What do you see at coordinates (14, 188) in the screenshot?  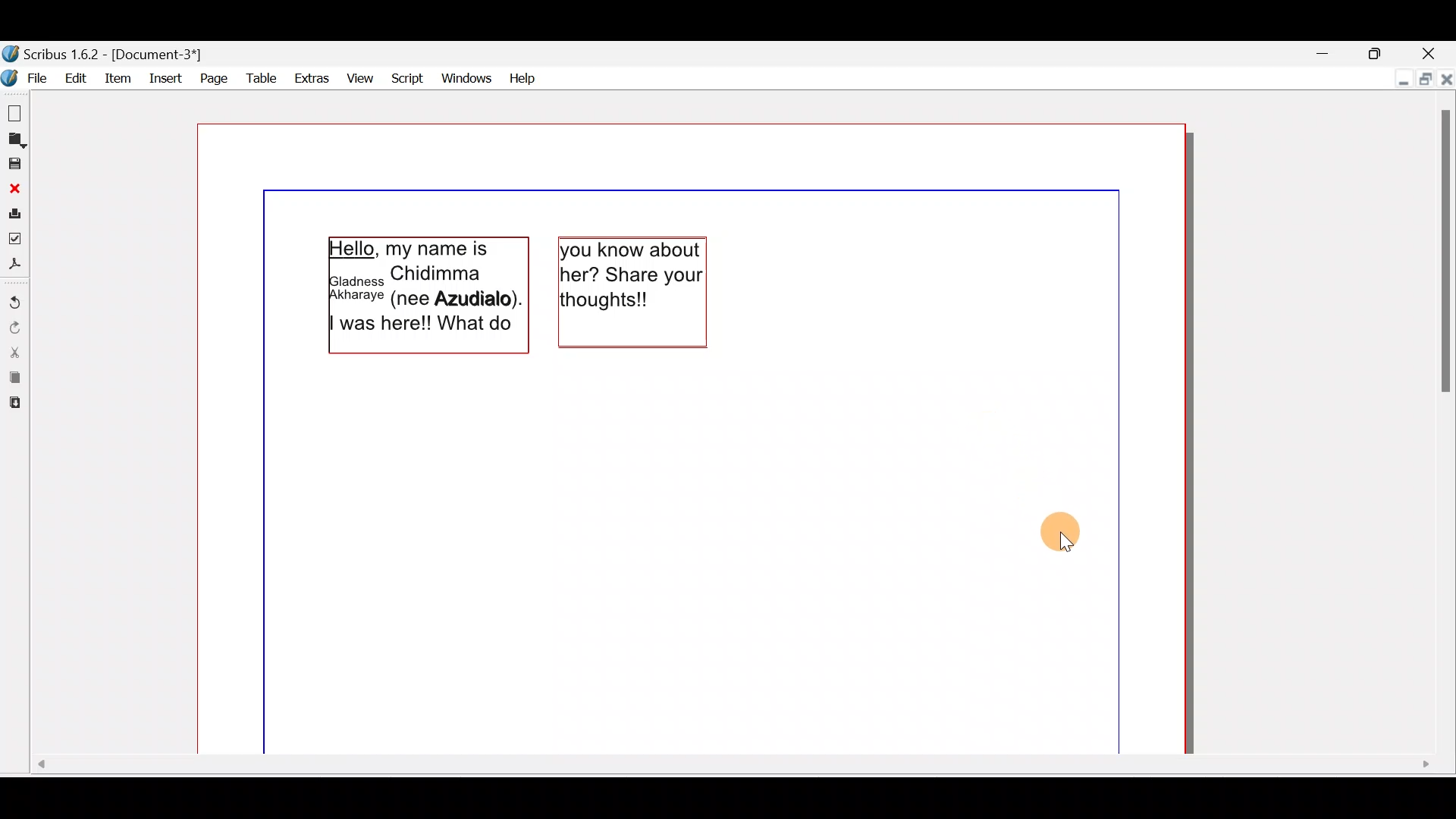 I see `Close` at bounding box center [14, 188].